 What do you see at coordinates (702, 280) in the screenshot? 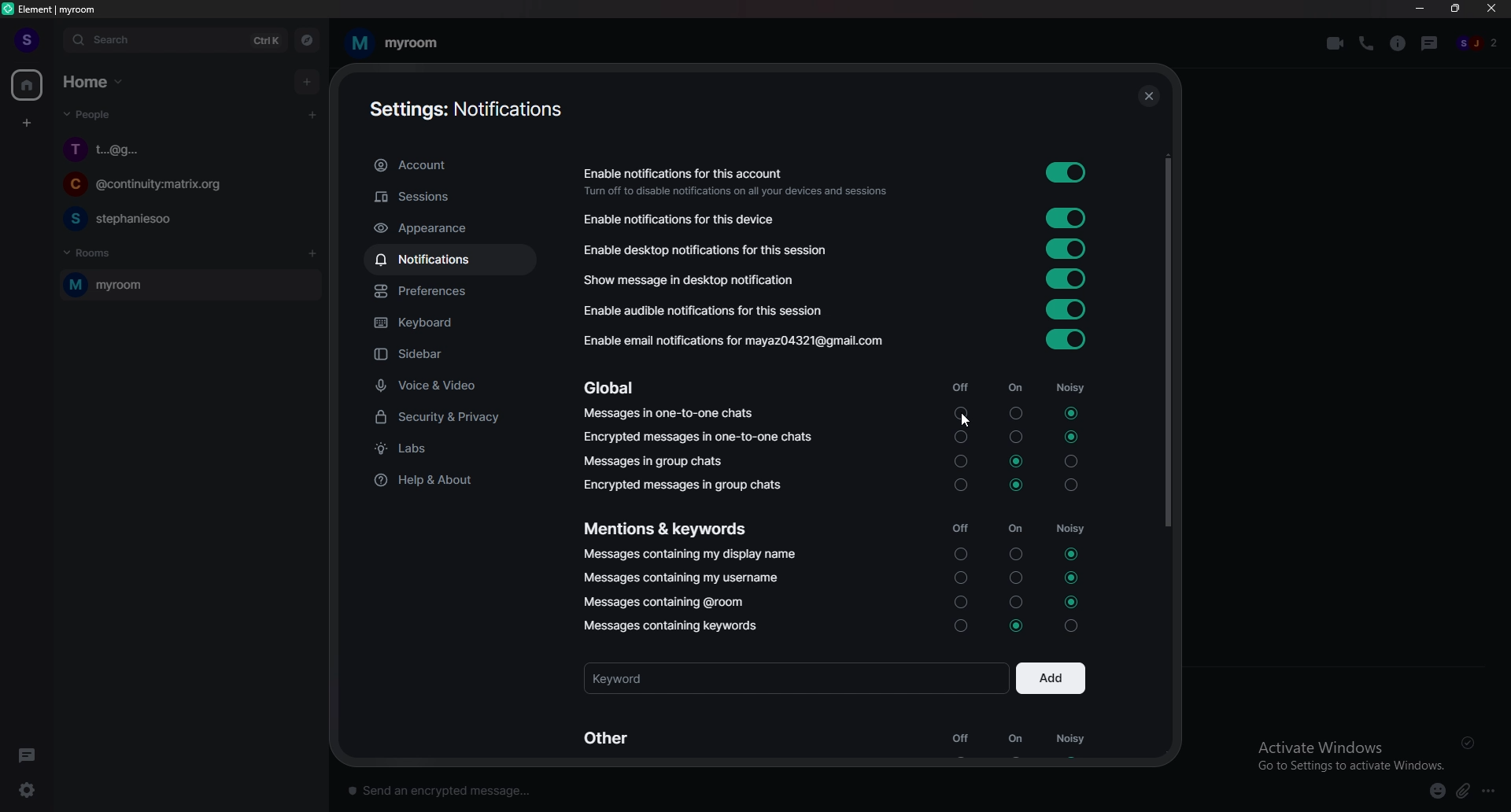
I see `show message in desktop notification` at bounding box center [702, 280].